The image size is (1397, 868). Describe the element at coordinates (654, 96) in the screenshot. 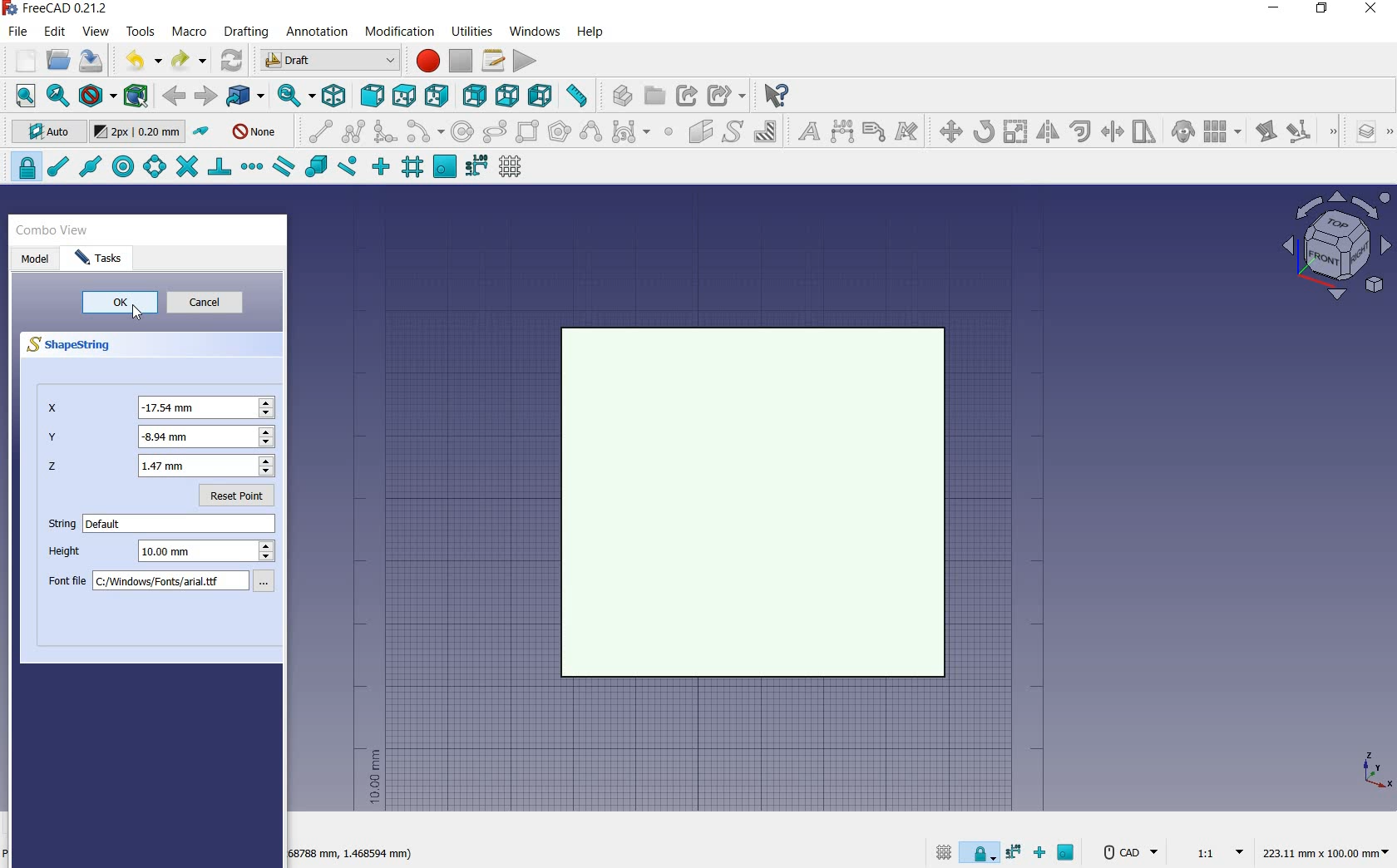

I see `create group` at that location.